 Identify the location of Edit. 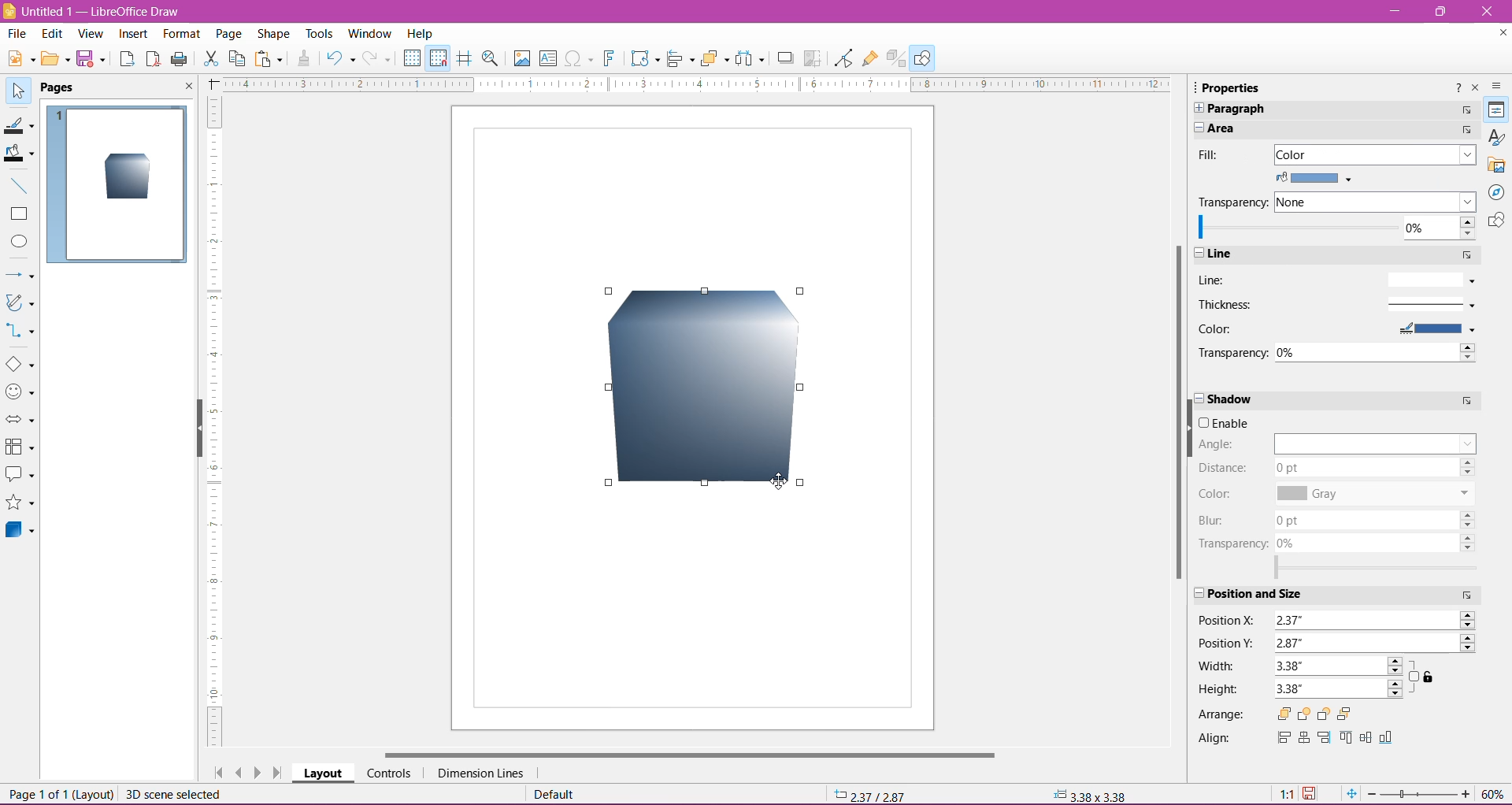
(54, 34).